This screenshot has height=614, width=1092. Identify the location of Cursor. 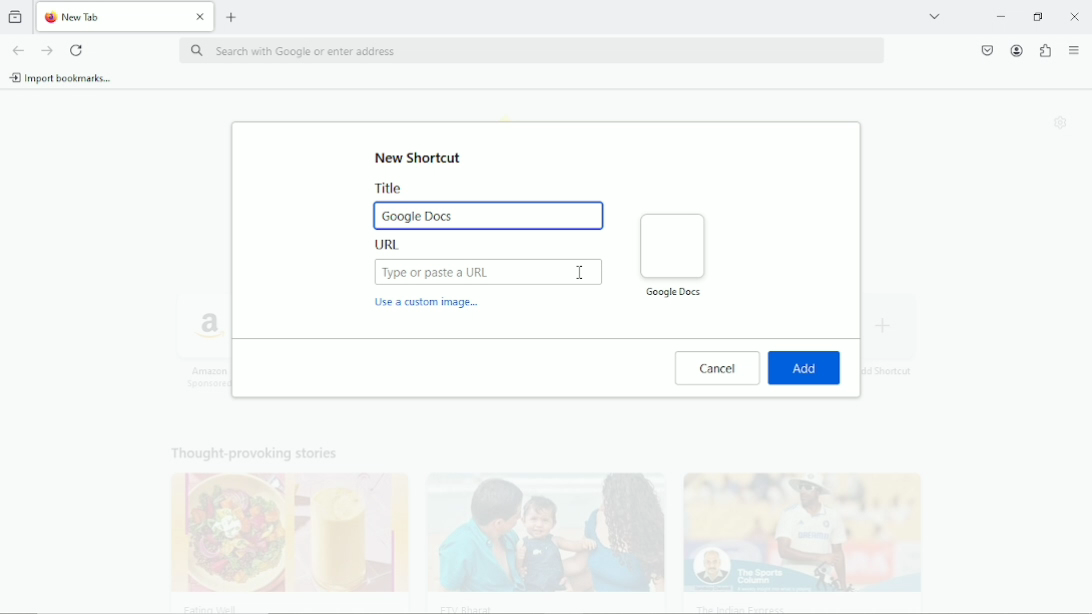
(581, 273).